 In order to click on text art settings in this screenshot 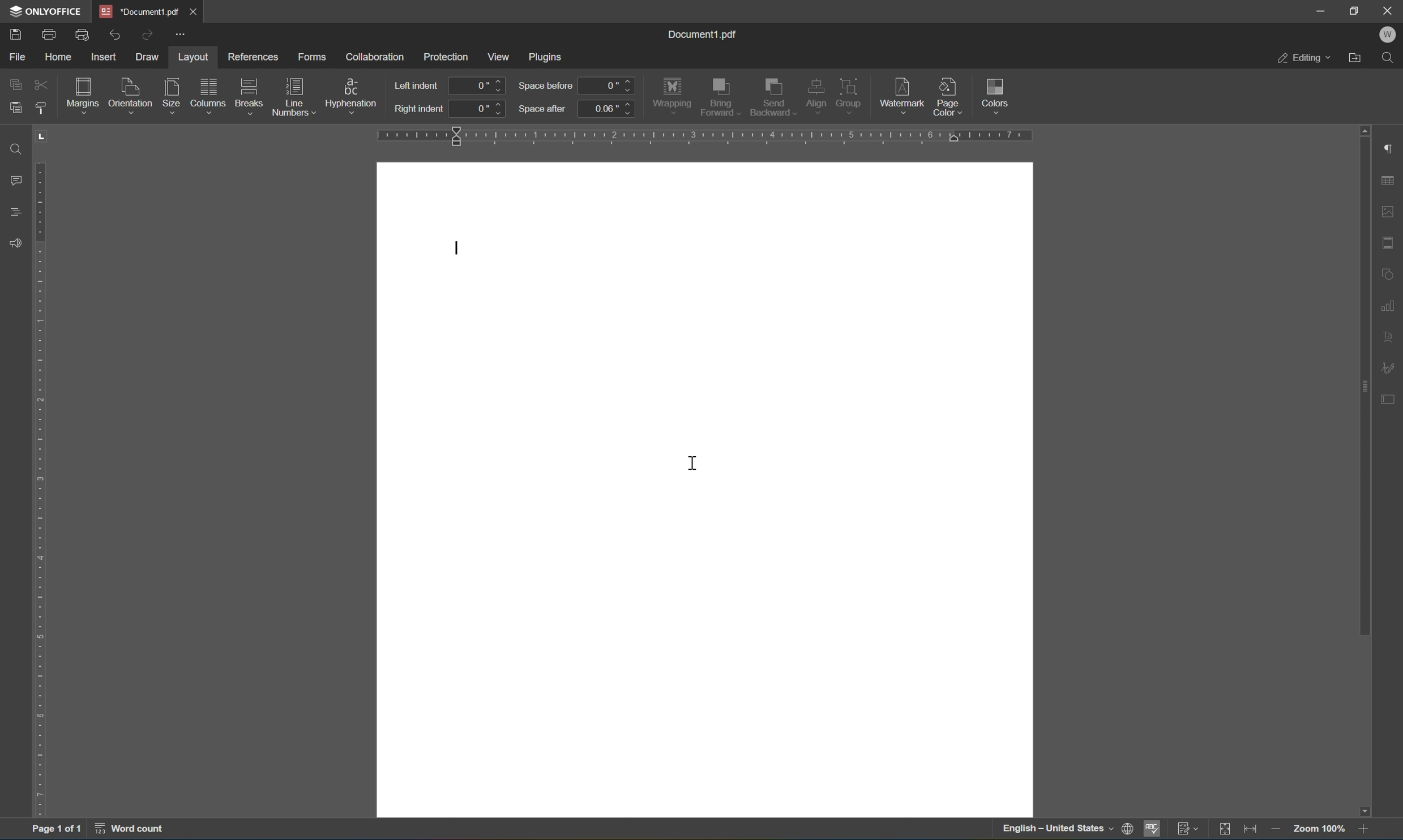, I will do `click(1391, 335)`.